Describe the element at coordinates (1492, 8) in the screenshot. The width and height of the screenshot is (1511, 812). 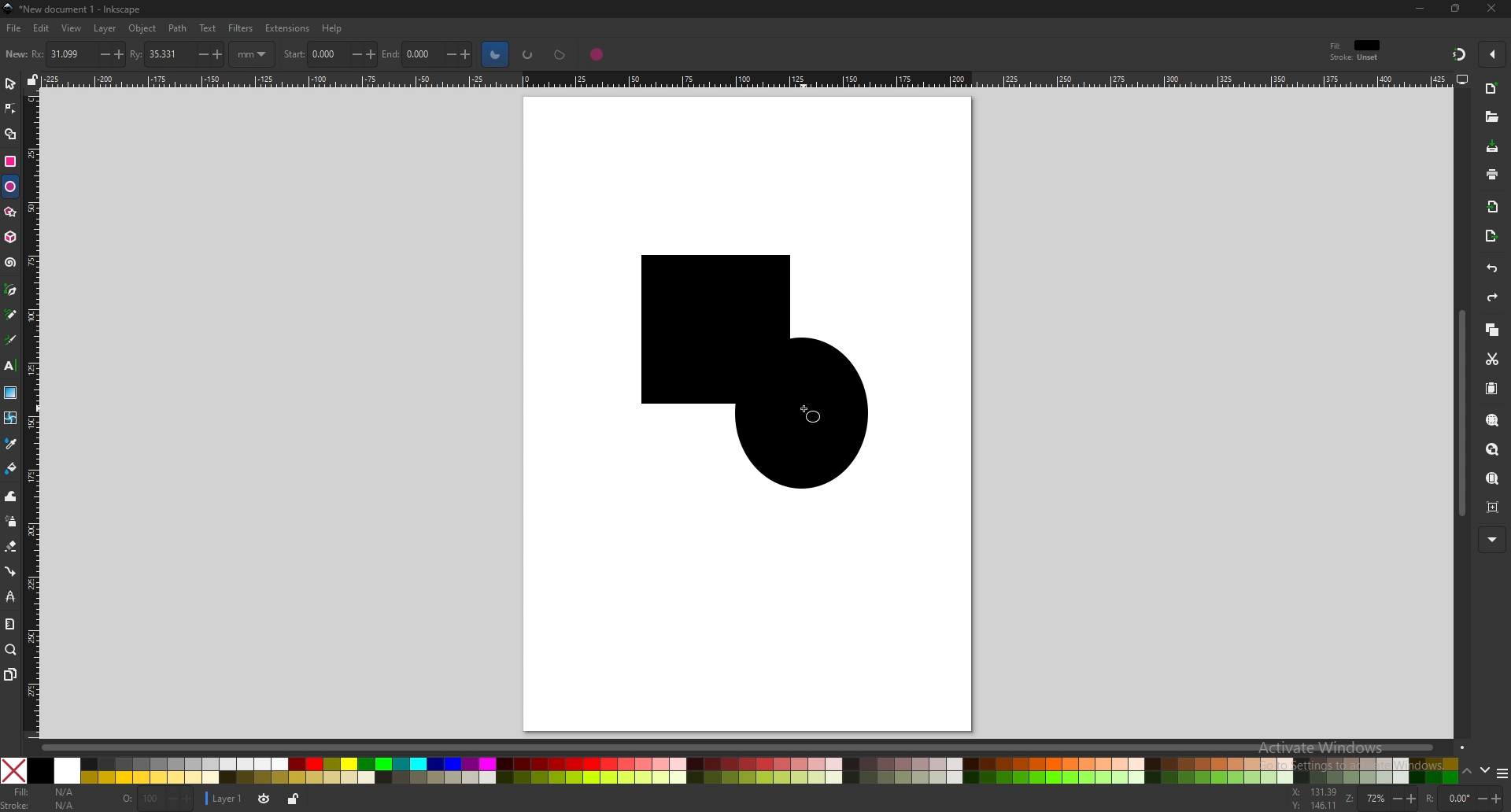
I see `close` at that location.